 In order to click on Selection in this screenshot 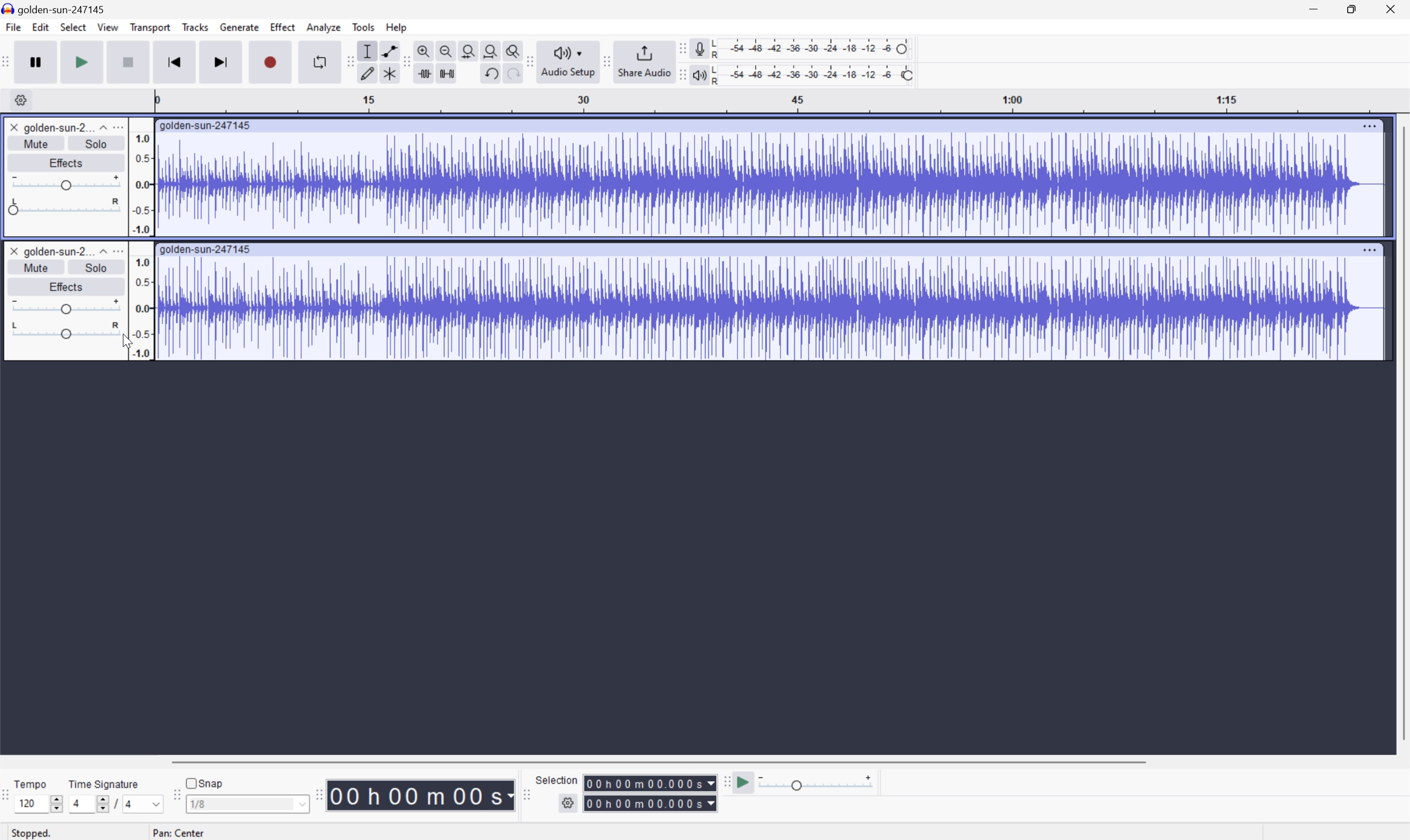, I will do `click(558, 779)`.